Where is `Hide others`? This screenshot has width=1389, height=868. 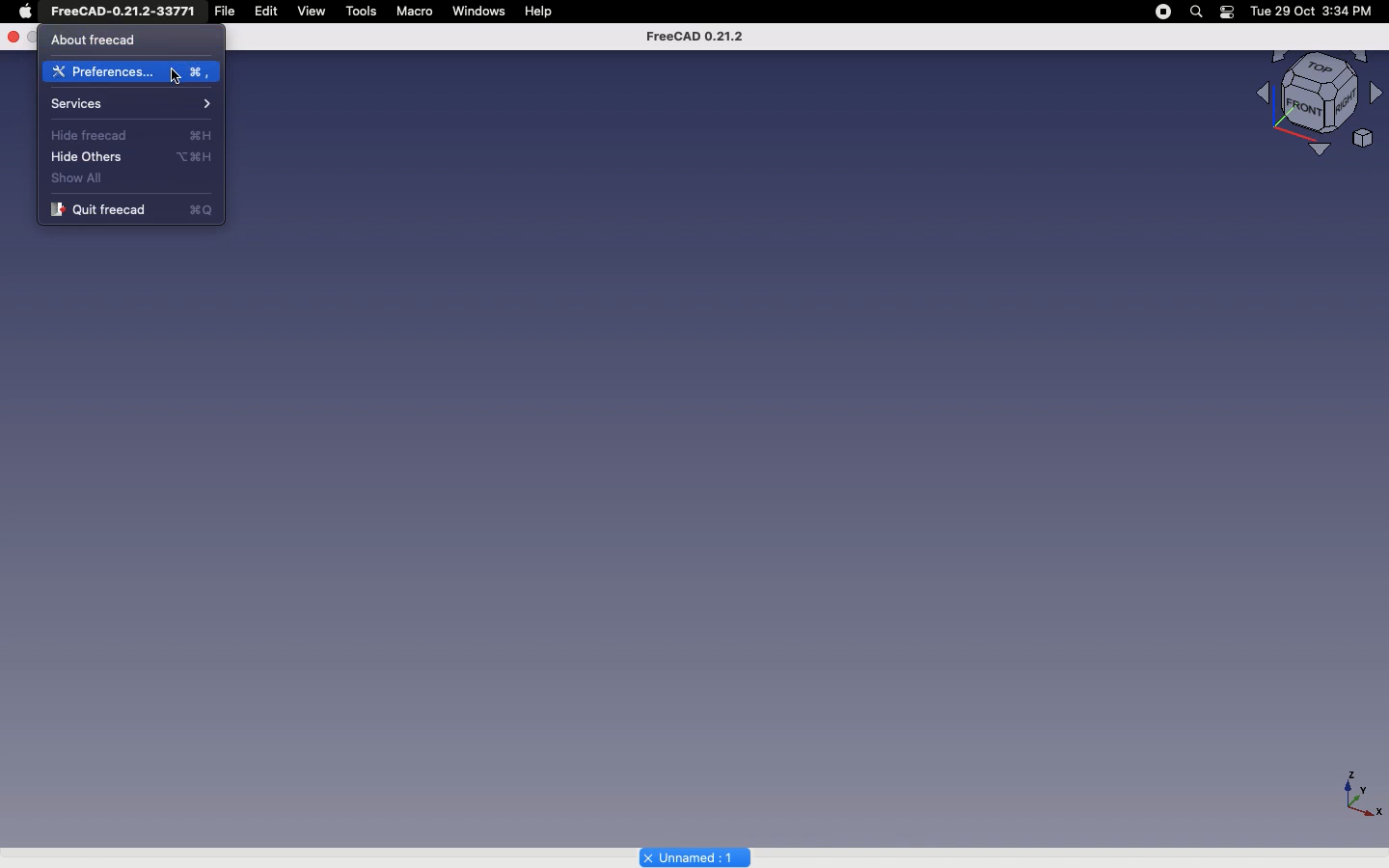 Hide others is located at coordinates (135, 157).